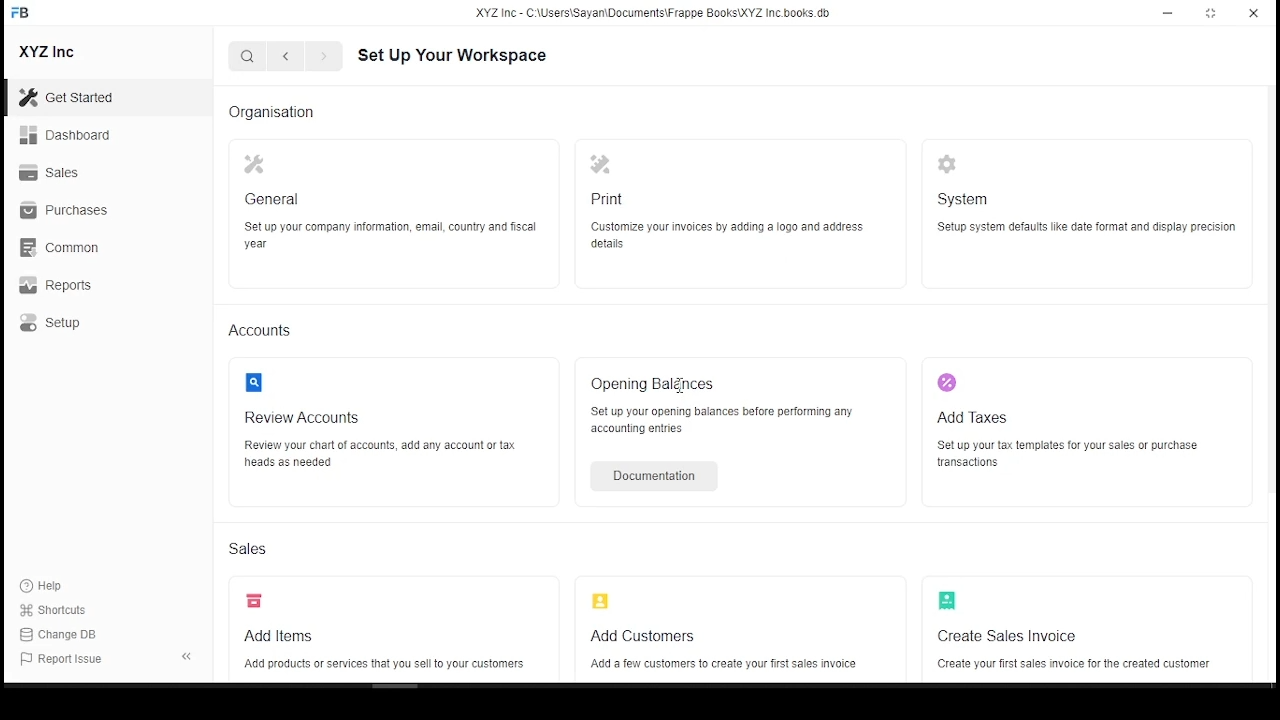 The width and height of the screenshot is (1280, 720). I want to click on documentation, so click(648, 475).